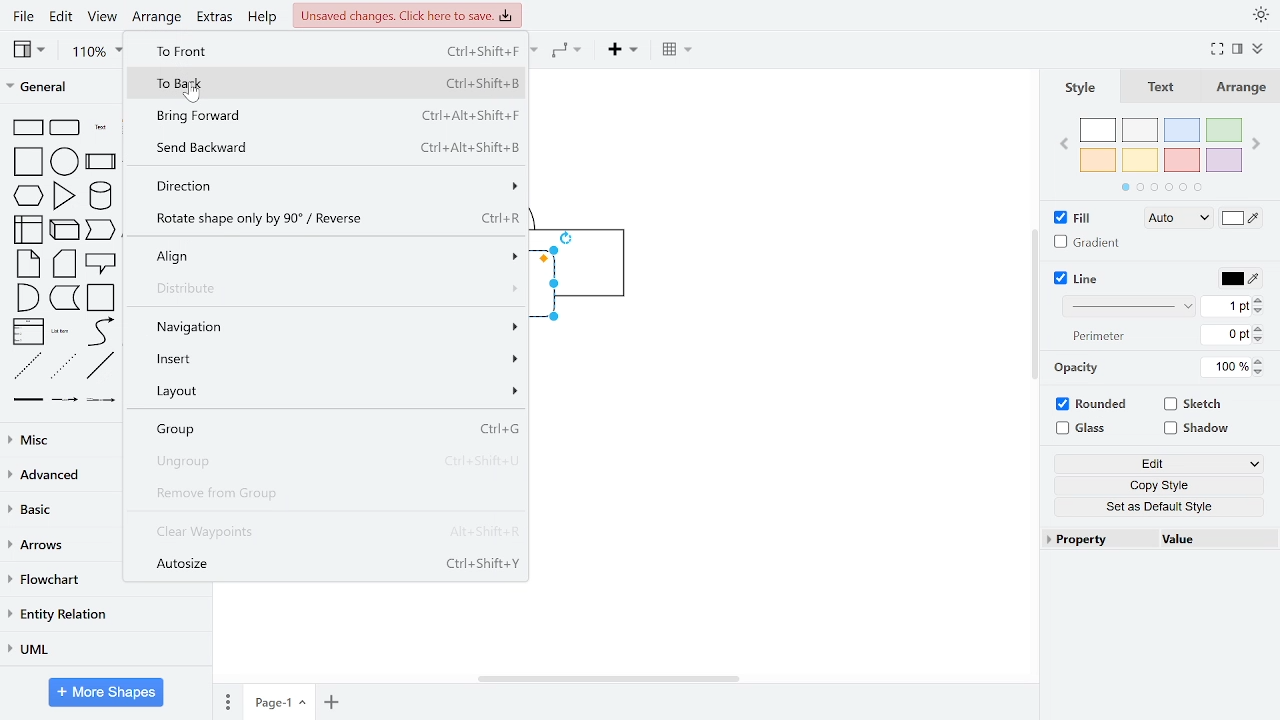 The height and width of the screenshot is (720, 1280). I want to click on note, so click(28, 264).